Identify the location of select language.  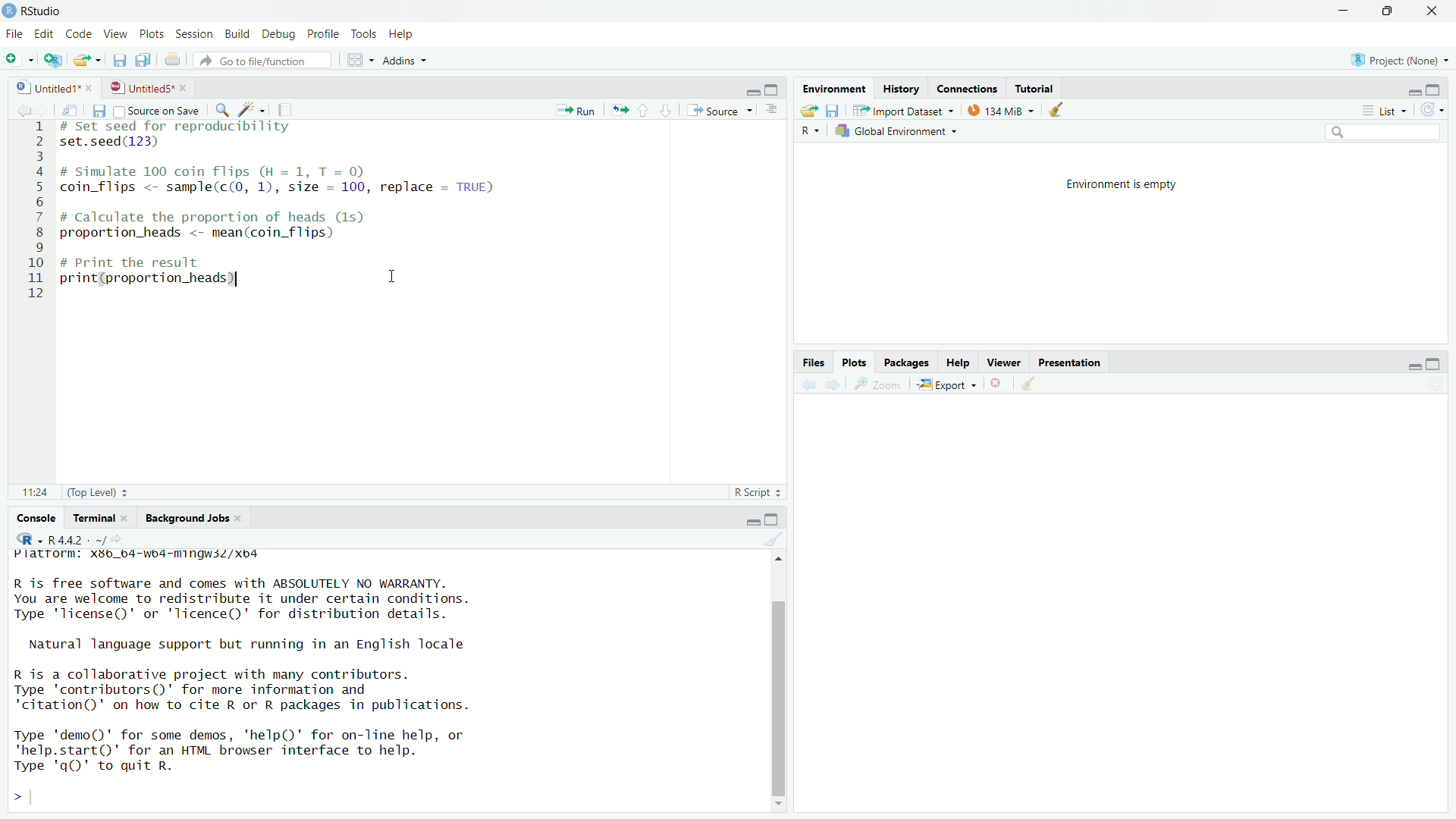
(24, 540).